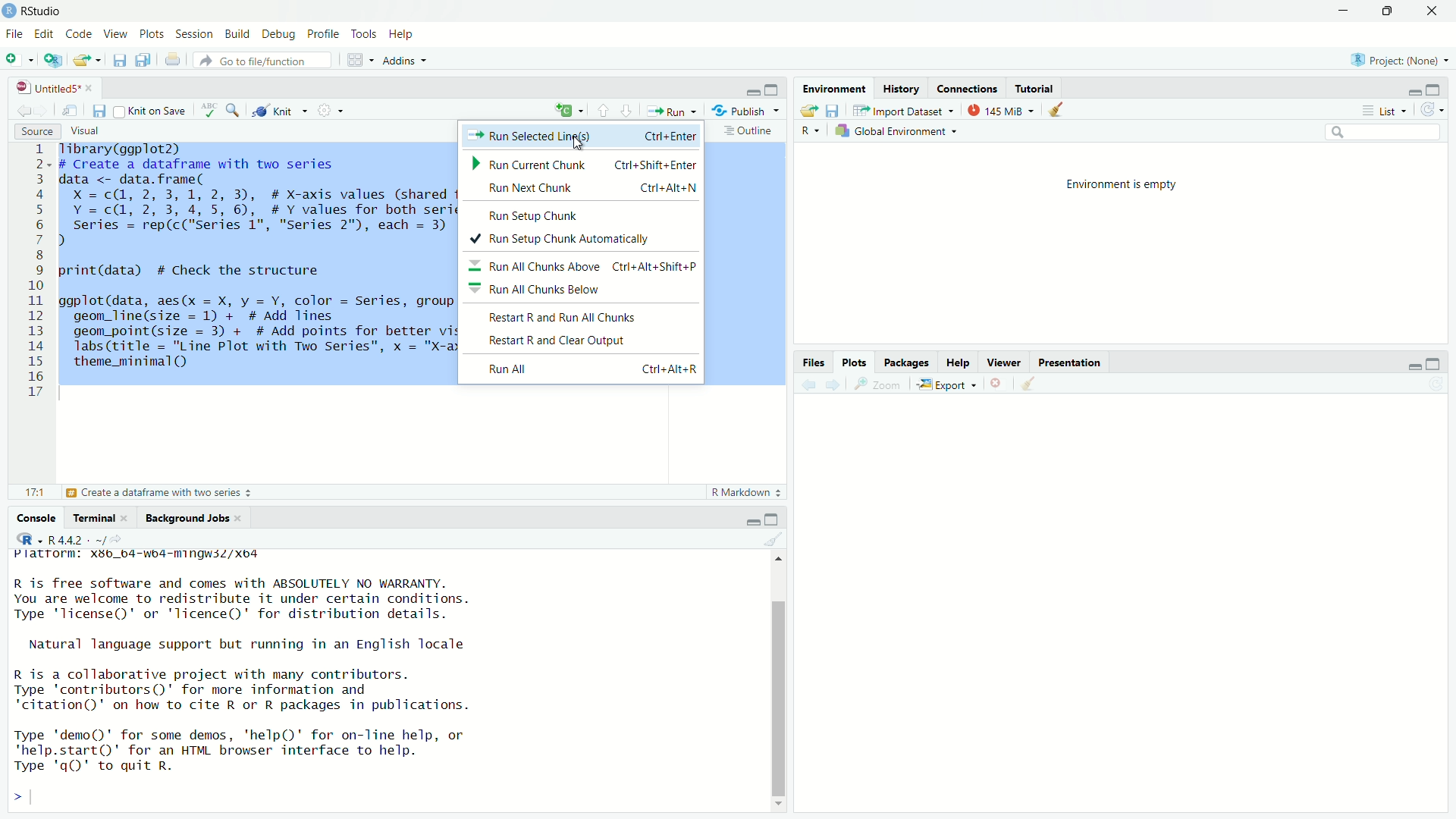  Describe the element at coordinates (629, 112) in the screenshot. I see `Go to next section/chunk` at that location.